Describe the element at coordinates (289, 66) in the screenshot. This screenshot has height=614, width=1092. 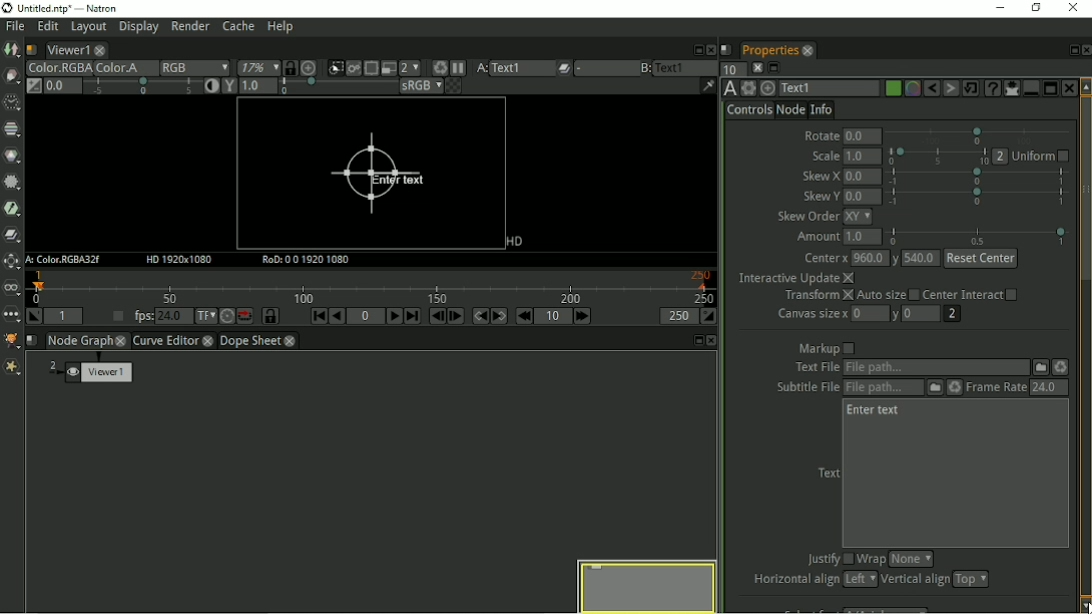
I see `Synchronize viewers` at that location.